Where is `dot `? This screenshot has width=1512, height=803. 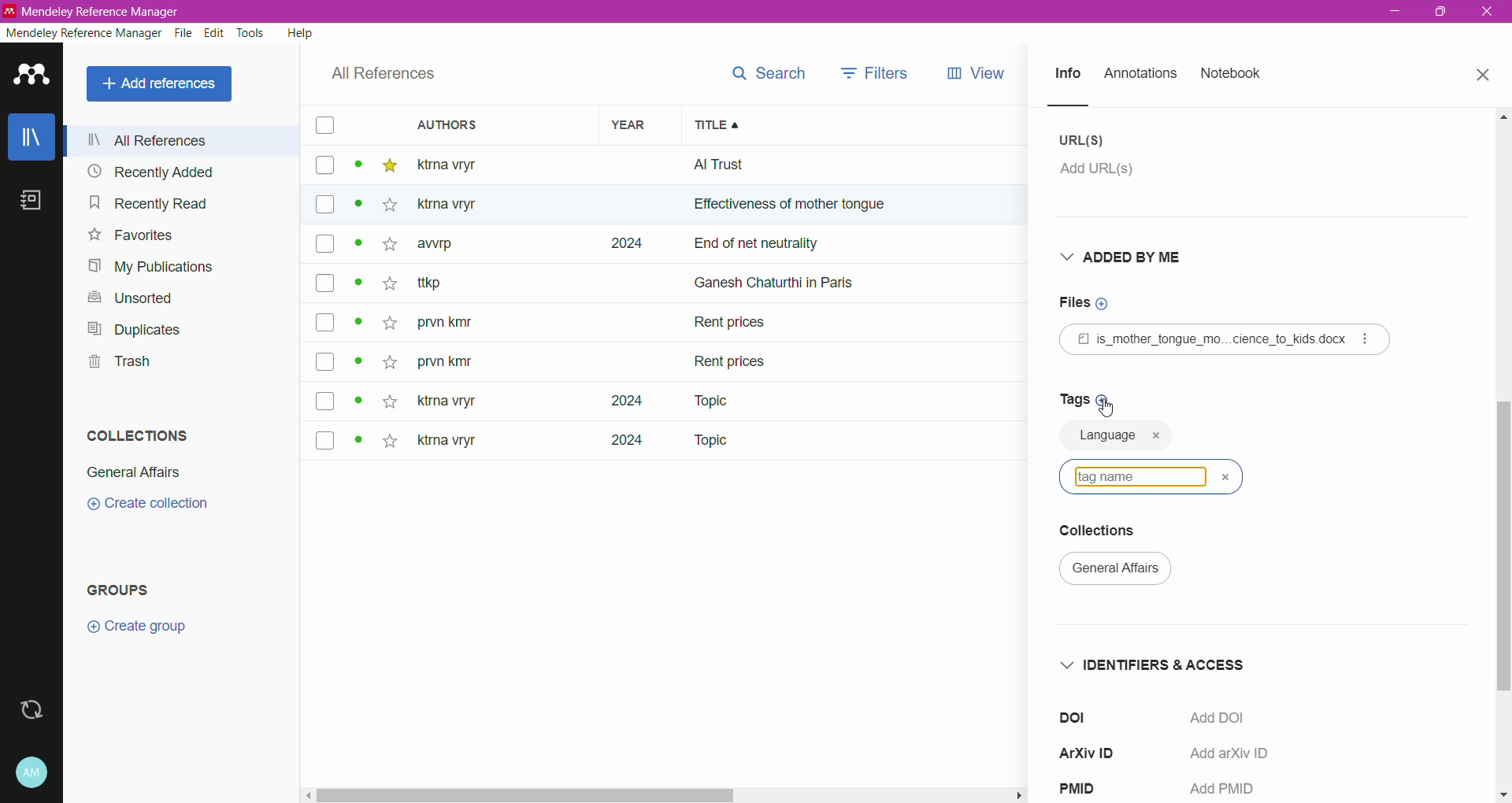
dot  is located at coordinates (358, 366).